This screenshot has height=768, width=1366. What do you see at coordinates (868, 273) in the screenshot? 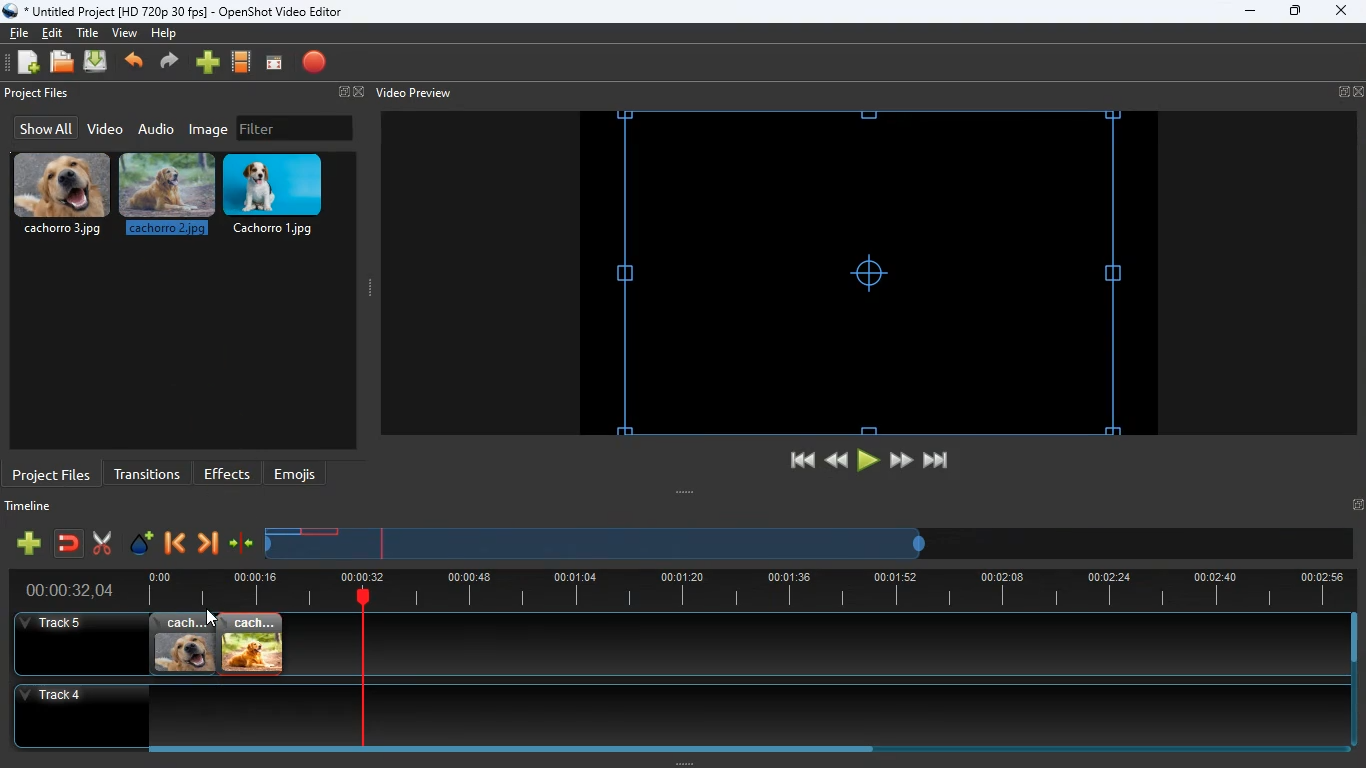
I see `screen` at bounding box center [868, 273].